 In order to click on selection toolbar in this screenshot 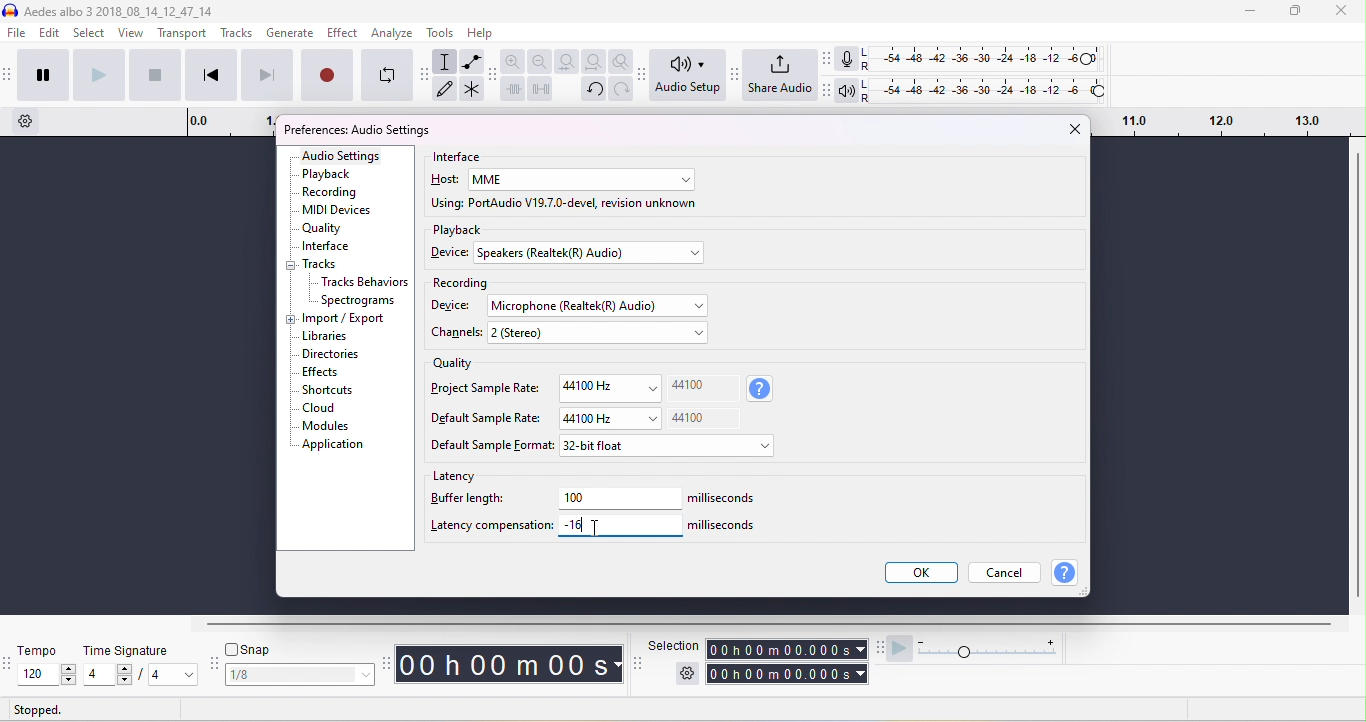, I will do `click(637, 662)`.